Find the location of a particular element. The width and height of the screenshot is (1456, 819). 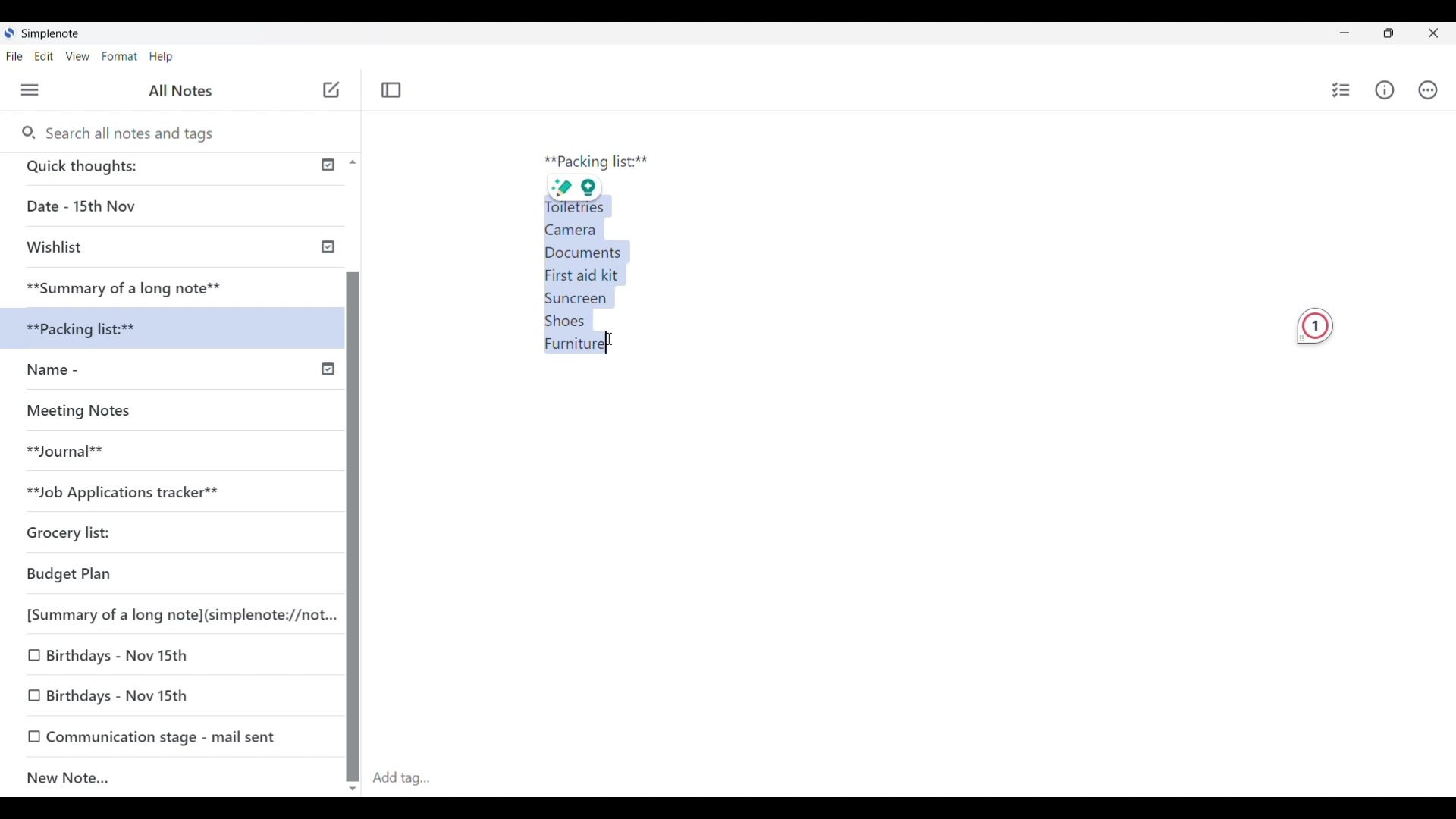

Search all notes and tags is located at coordinates (134, 133).